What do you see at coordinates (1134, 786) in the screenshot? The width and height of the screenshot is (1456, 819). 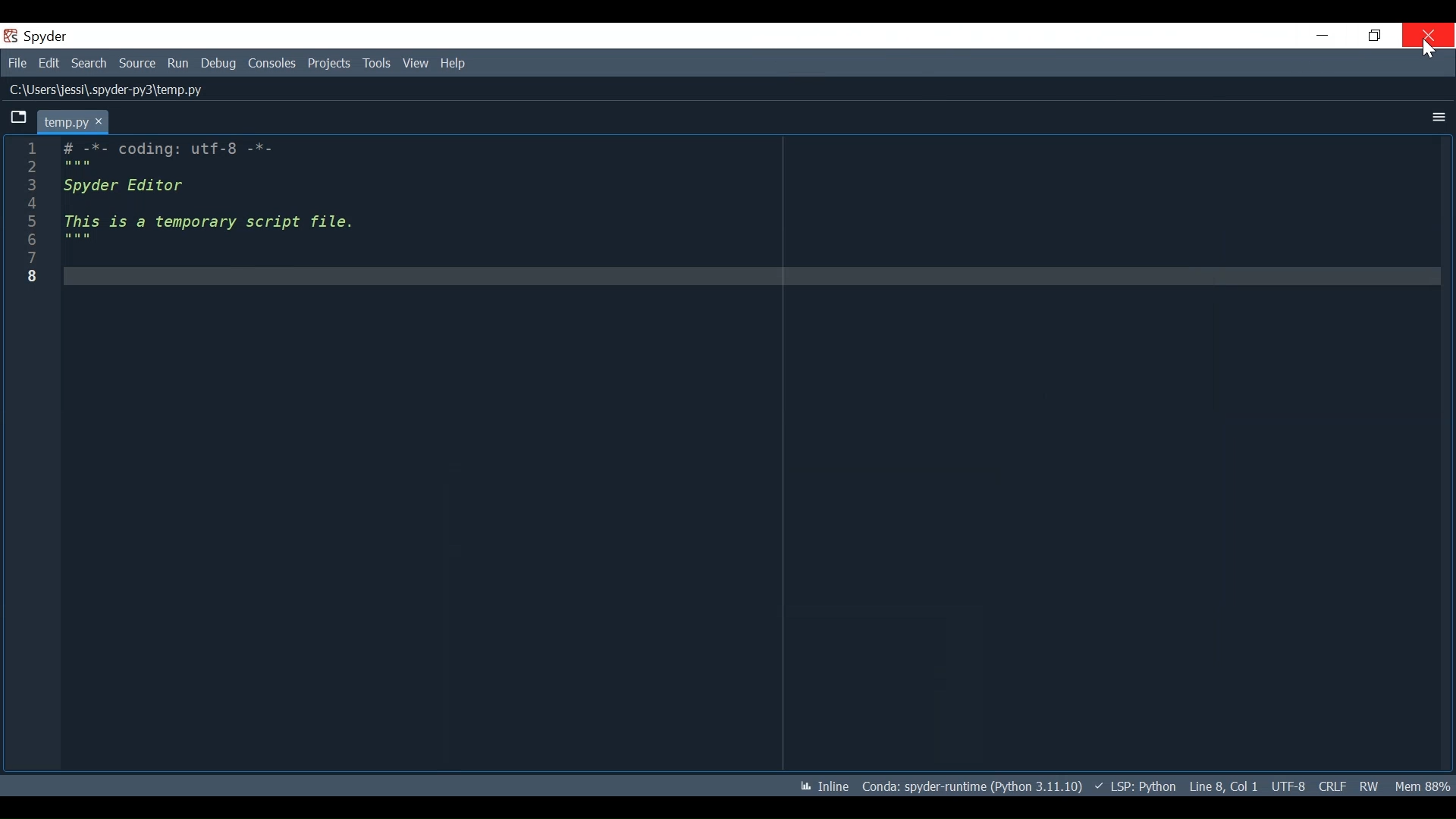 I see `LSP Python` at bounding box center [1134, 786].